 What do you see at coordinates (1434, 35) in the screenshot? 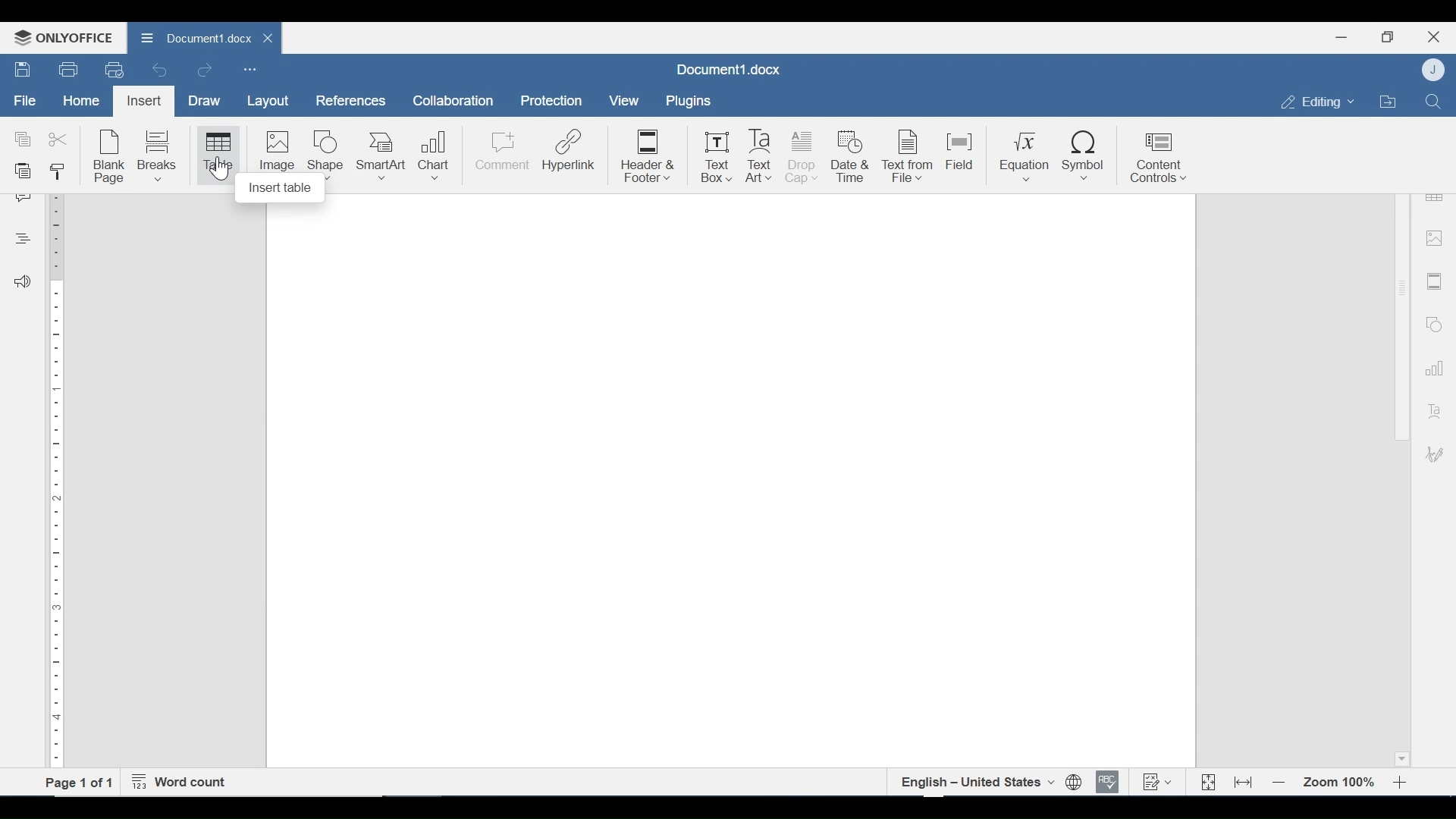
I see `Close` at bounding box center [1434, 35].